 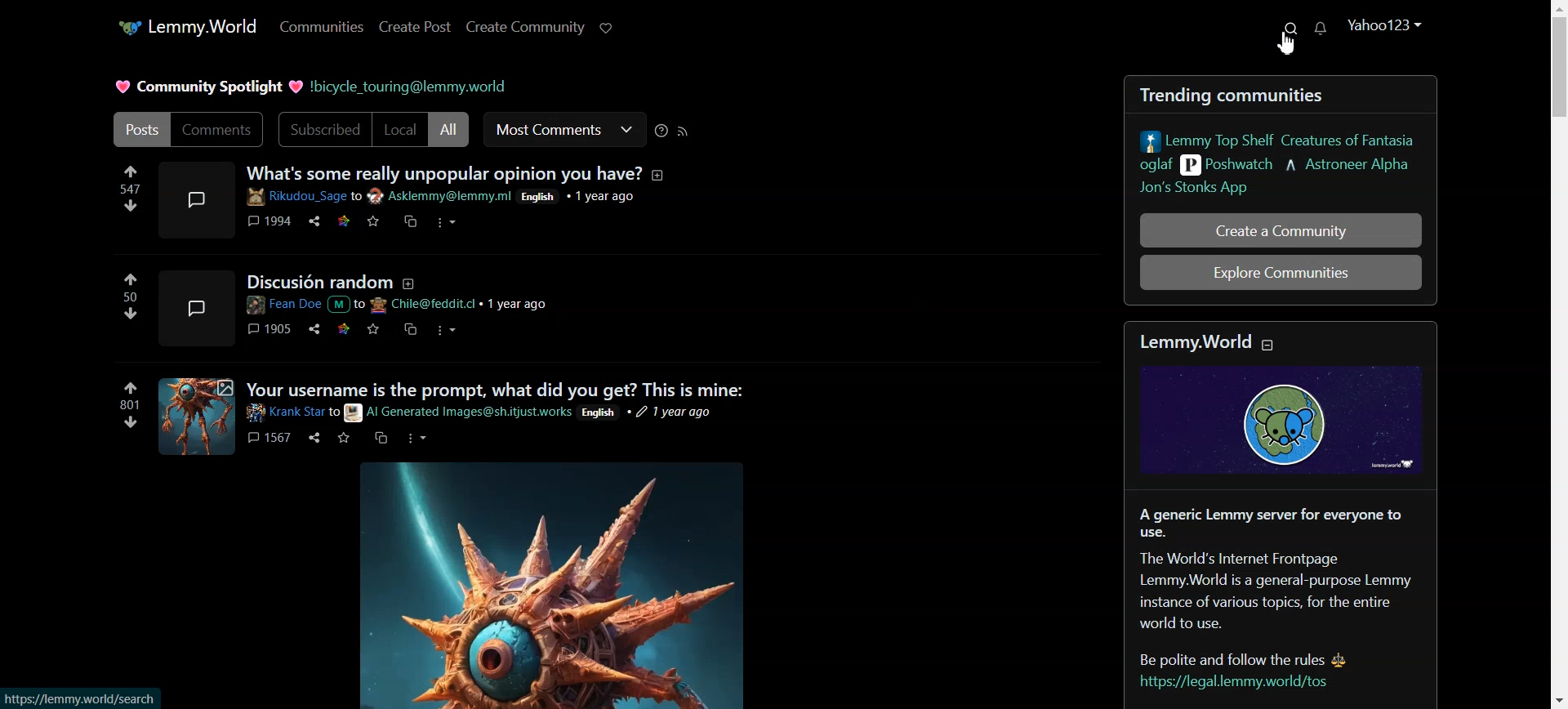 I want to click on Post, so click(x=138, y=130).